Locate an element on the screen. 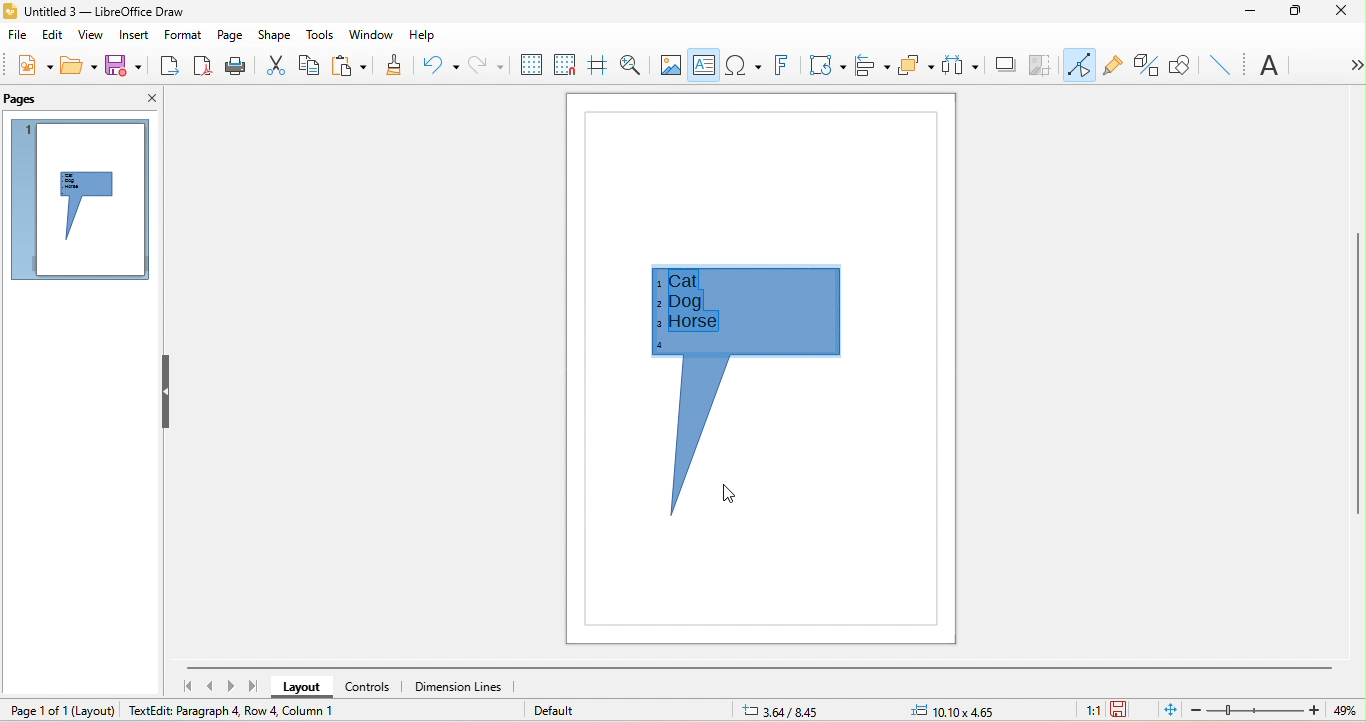  minimize is located at coordinates (1250, 12).